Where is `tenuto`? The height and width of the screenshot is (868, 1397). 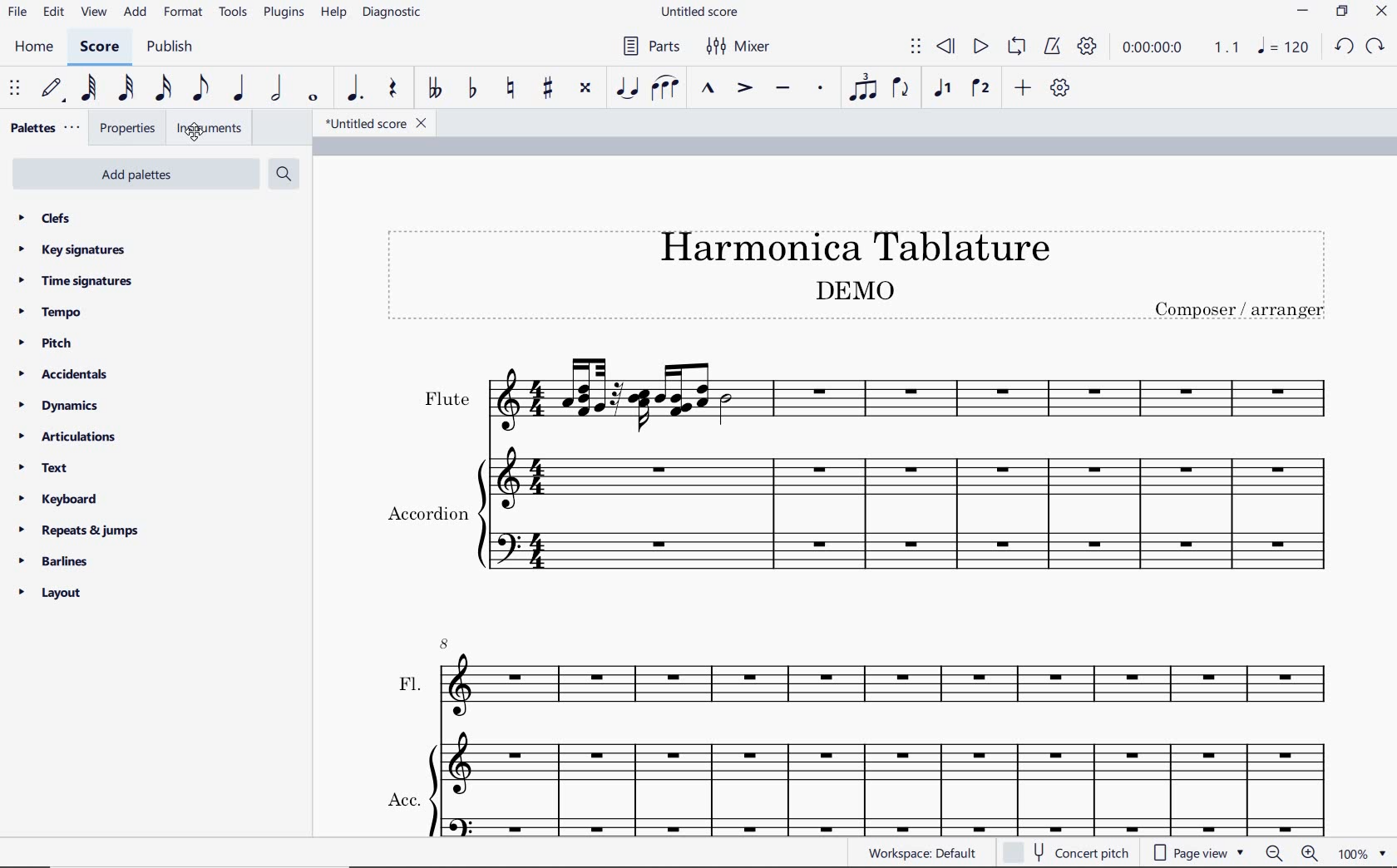 tenuto is located at coordinates (782, 89).